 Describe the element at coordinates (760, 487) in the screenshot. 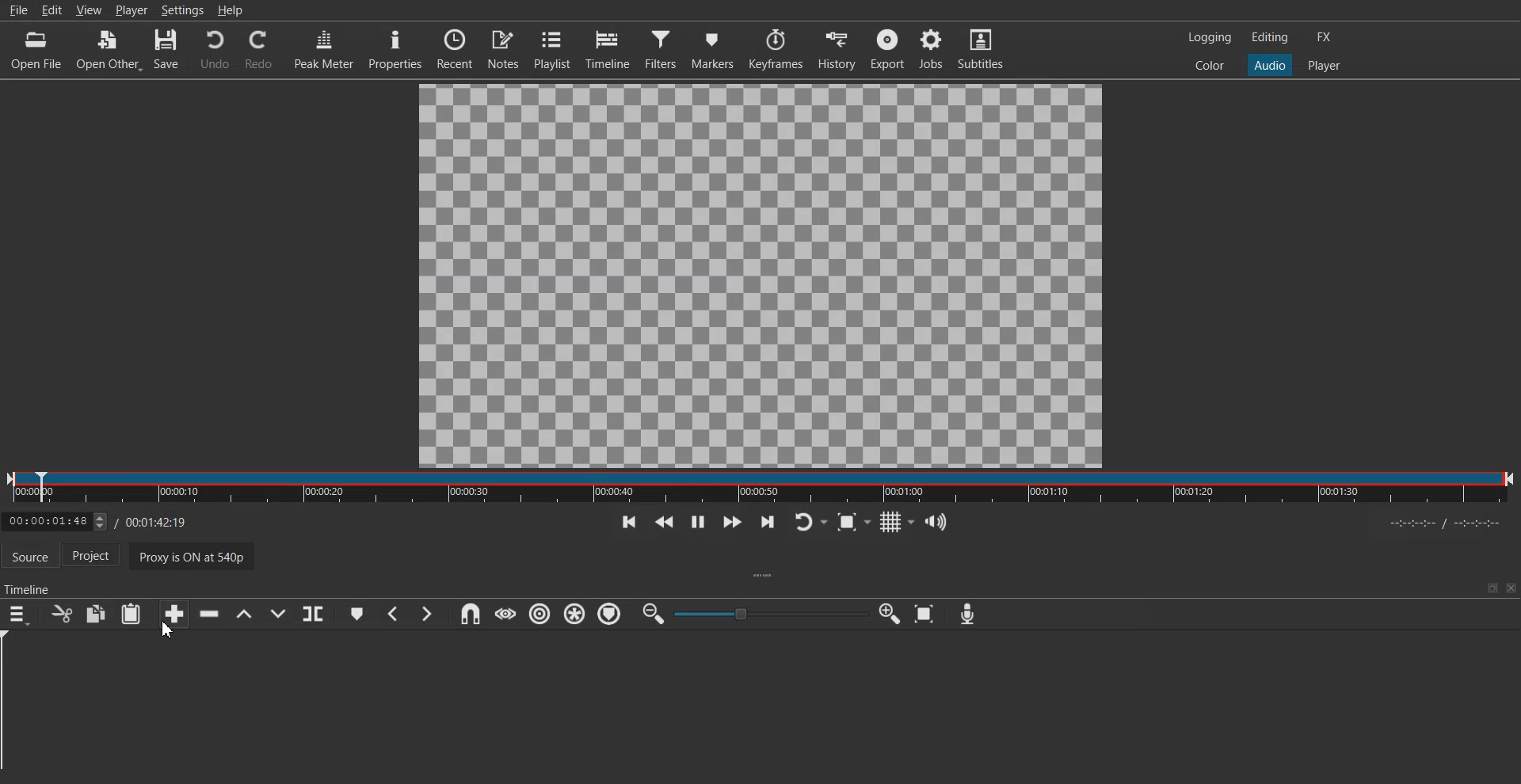

I see `Audio file slider` at that location.